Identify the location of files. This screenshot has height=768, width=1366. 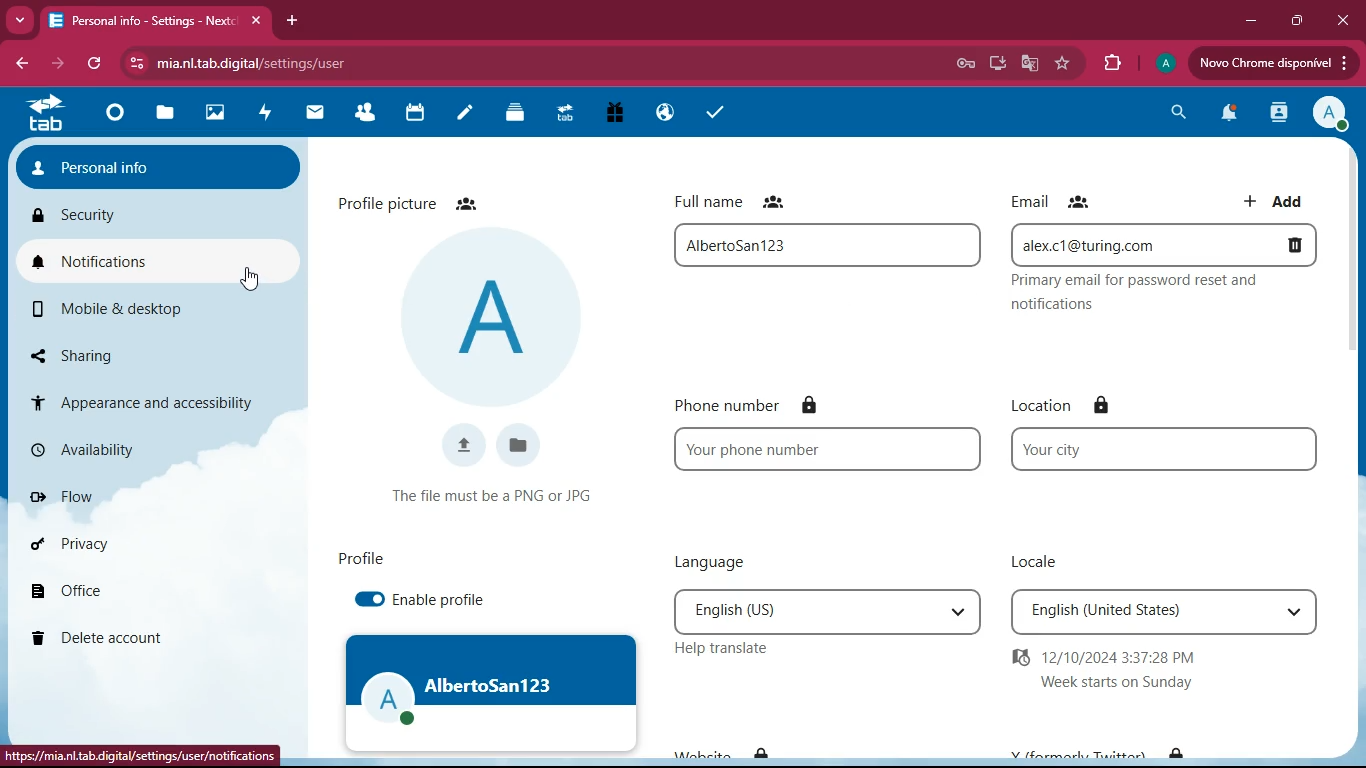
(164, 115).